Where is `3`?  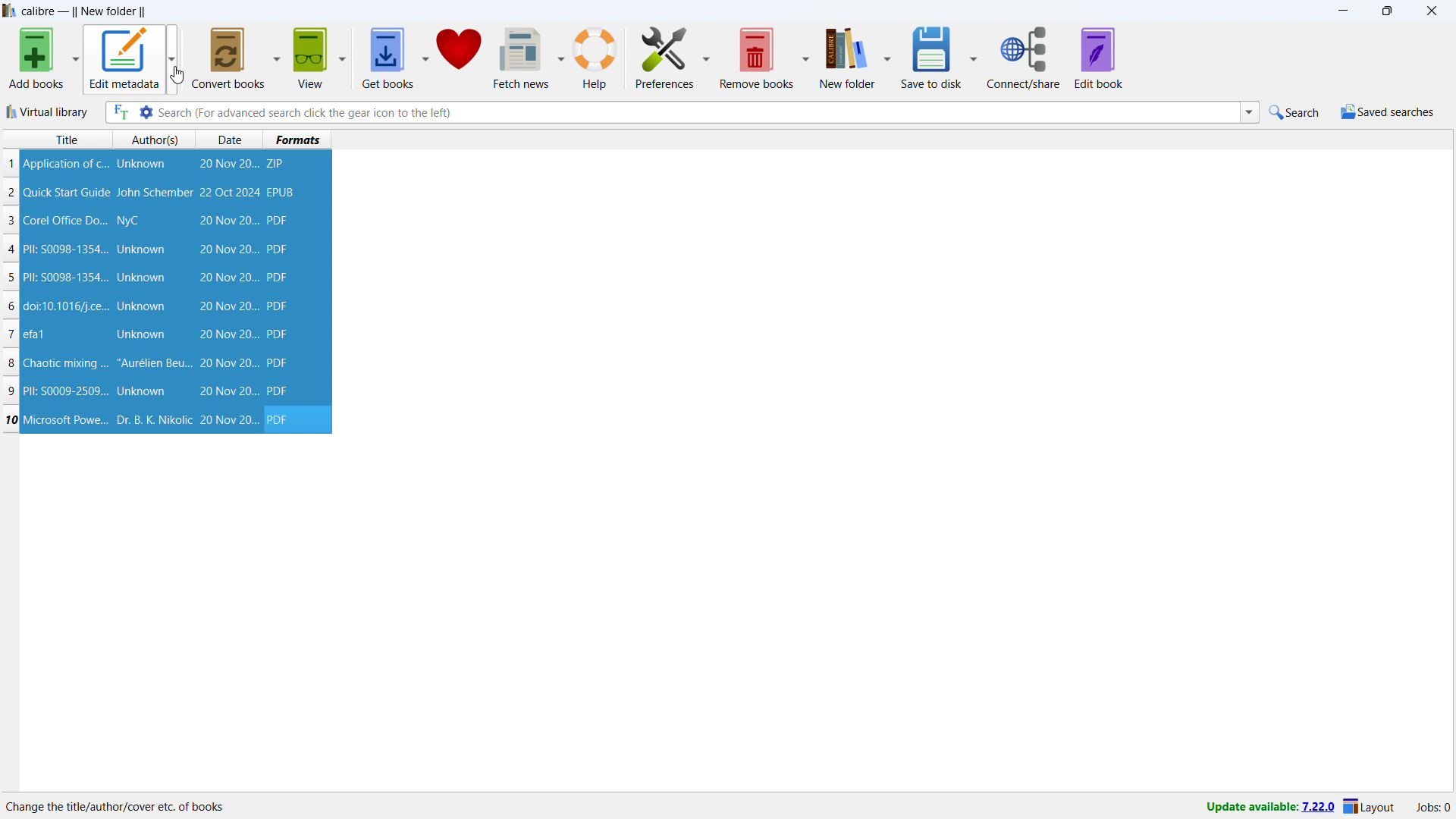 3 is located at coordinates (11, 221).